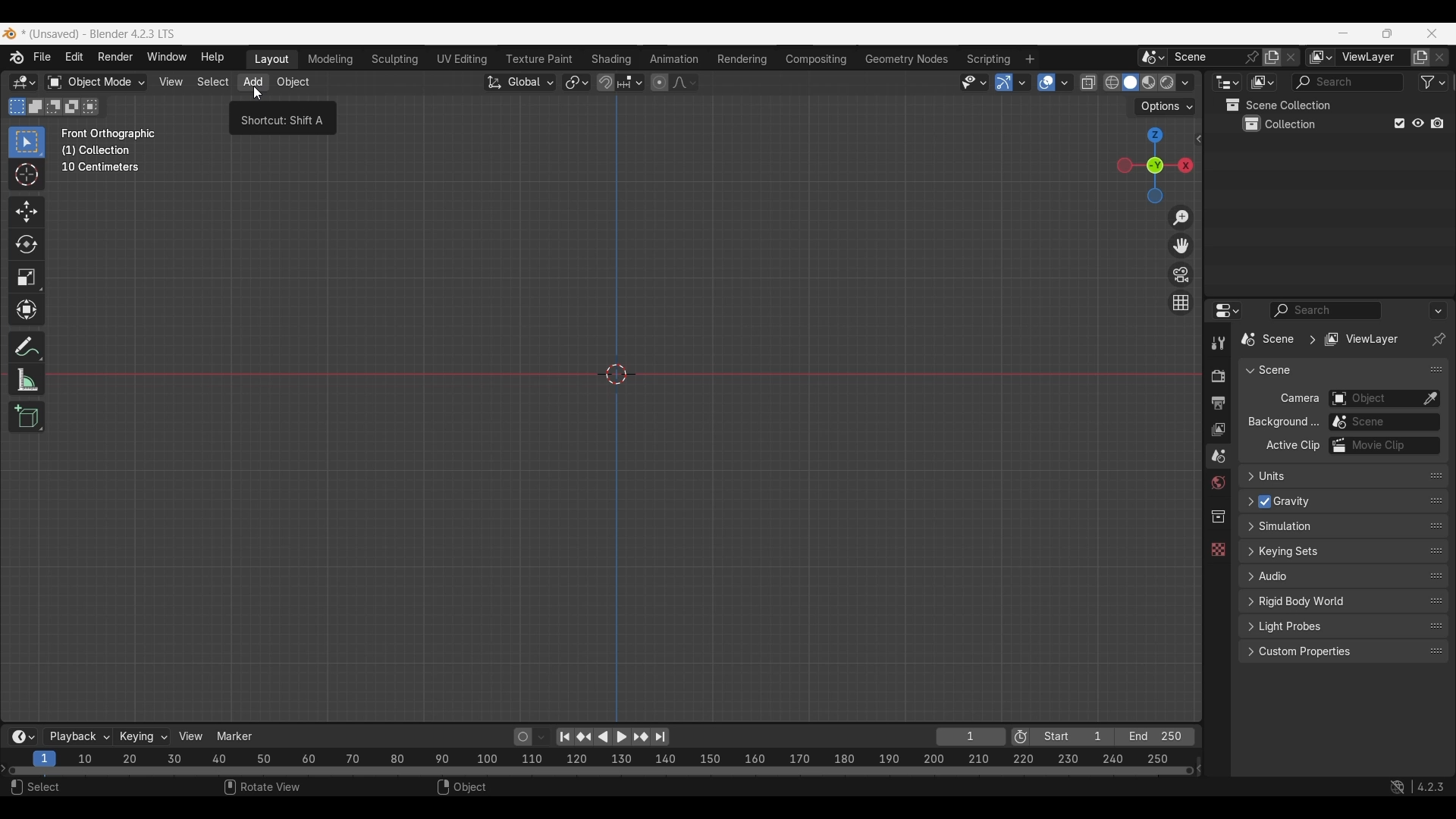 This screenshot has height=819, width=1456. What do you see at coordinates (1217, 516) in the screenshot?
I see `Collection` at bounding box center [1217, 516].